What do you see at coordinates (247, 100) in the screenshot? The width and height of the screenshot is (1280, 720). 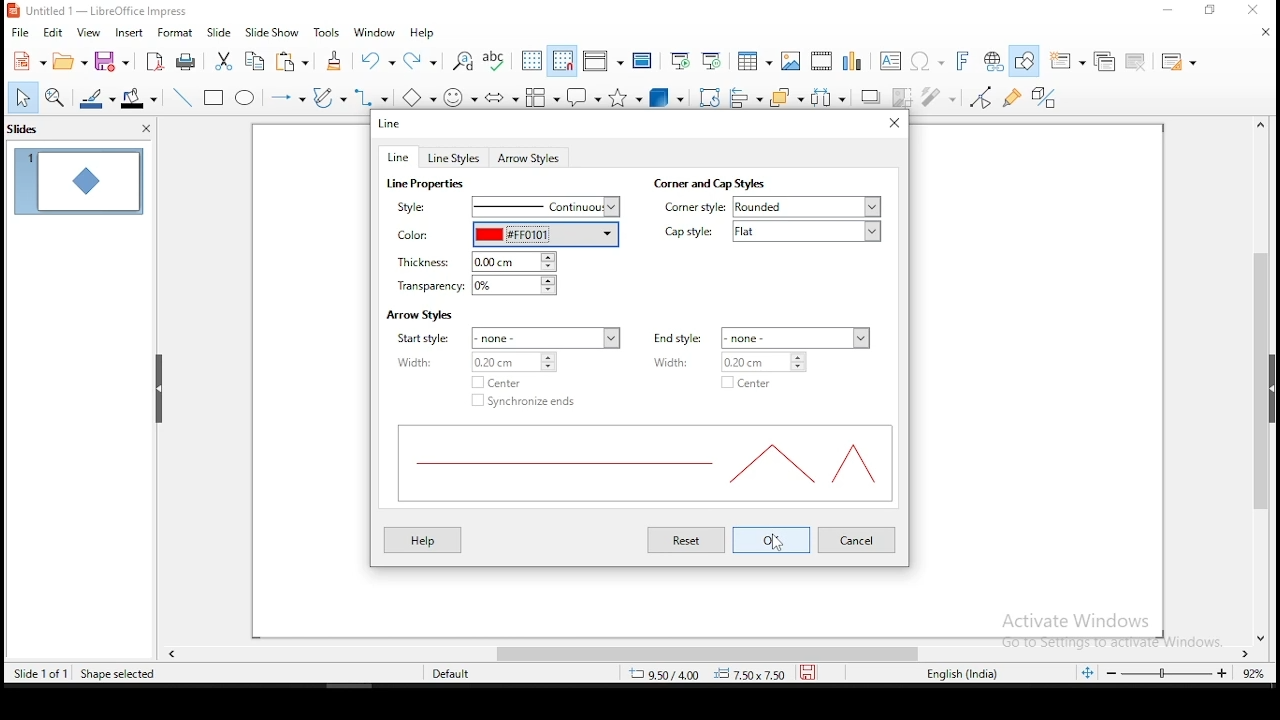 I see `ellipse` at bounding box center [247, 100].